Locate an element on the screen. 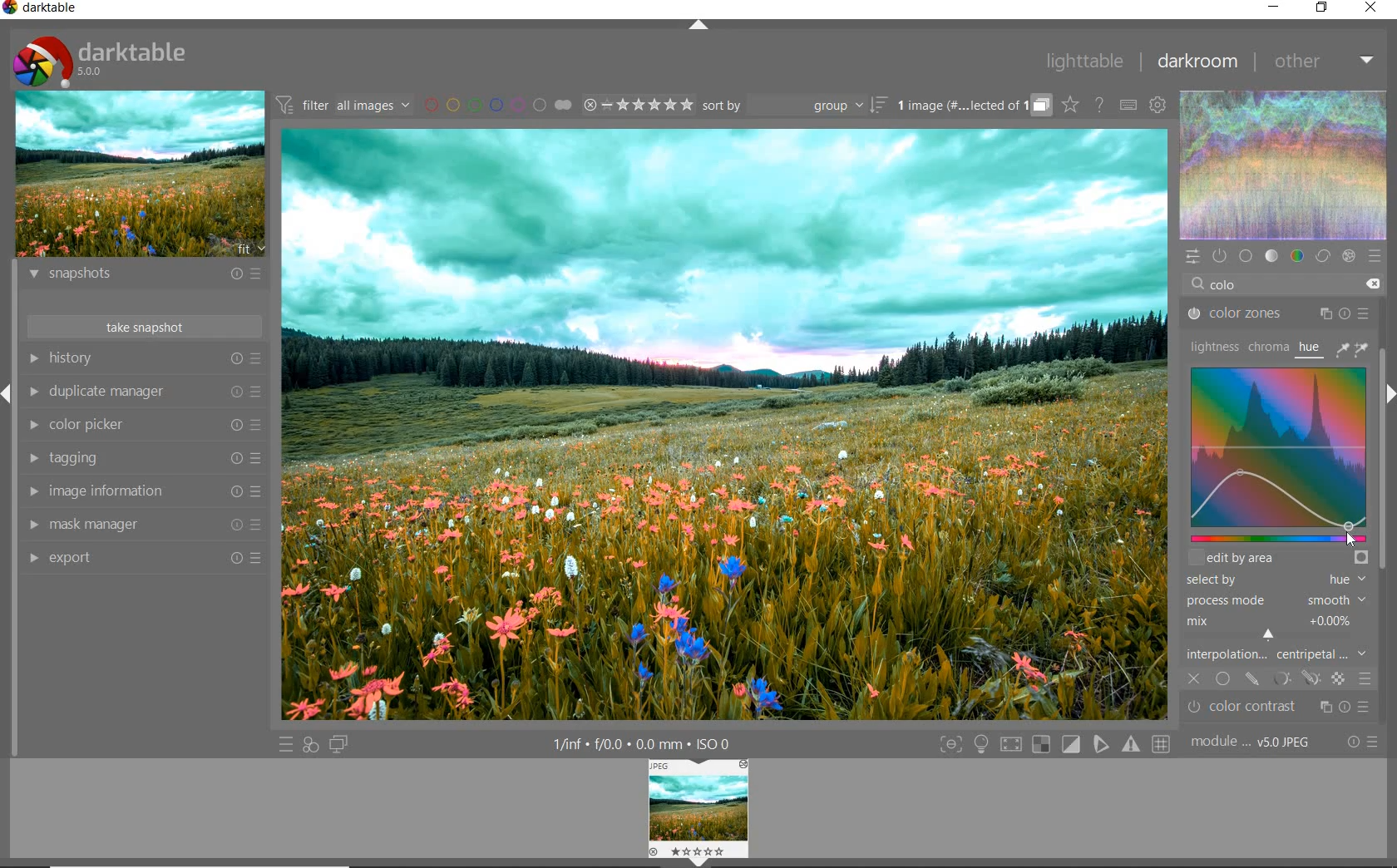 The height and width of the screenshot is (868, 1397). Expand / Collapse is located at coordinates (8, 392).